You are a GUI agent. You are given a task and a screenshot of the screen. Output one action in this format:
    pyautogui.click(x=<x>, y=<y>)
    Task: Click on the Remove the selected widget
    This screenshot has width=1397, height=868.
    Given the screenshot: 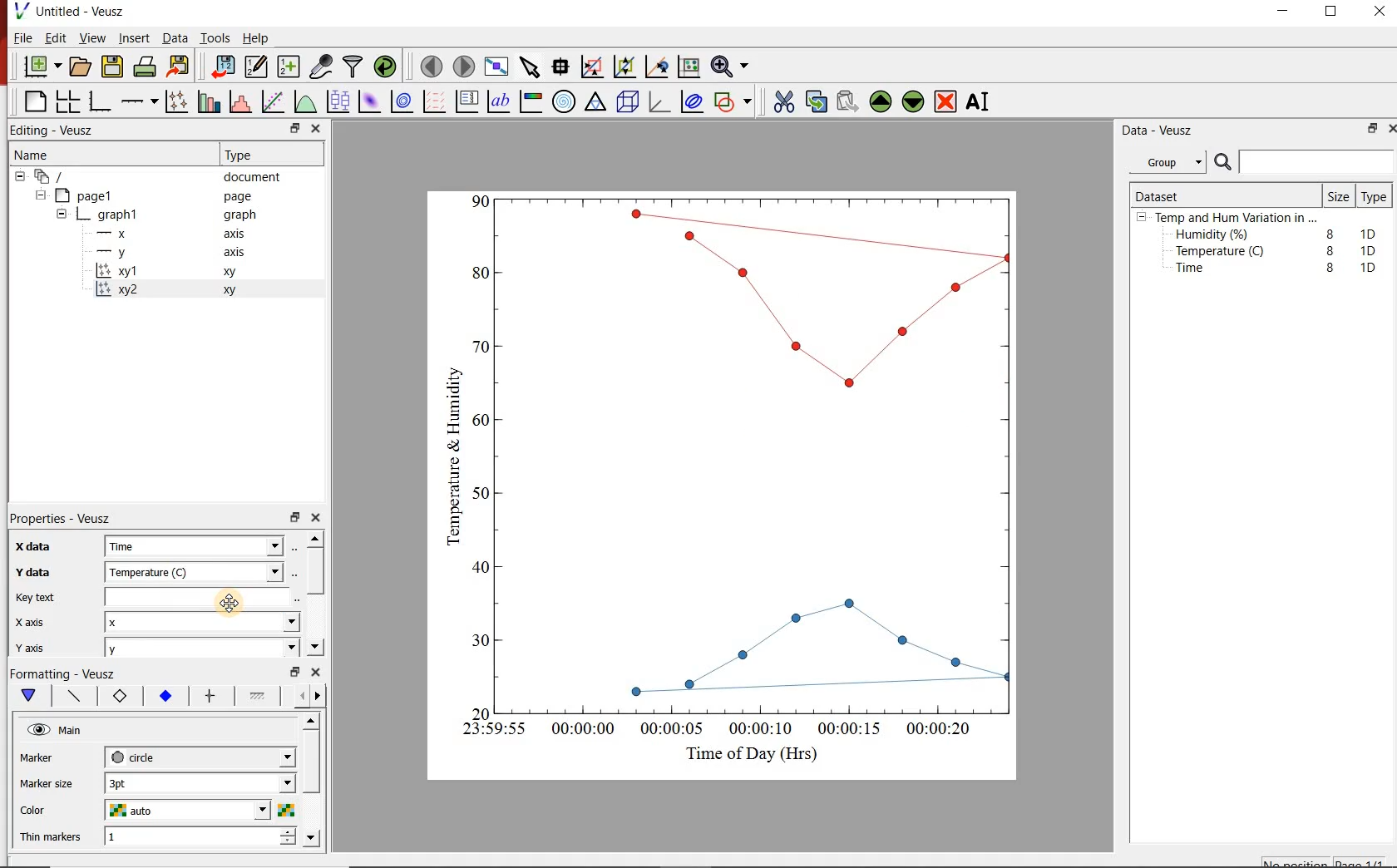 What is the action you would take?
    pyautogui.click(x=947, y=101)
    